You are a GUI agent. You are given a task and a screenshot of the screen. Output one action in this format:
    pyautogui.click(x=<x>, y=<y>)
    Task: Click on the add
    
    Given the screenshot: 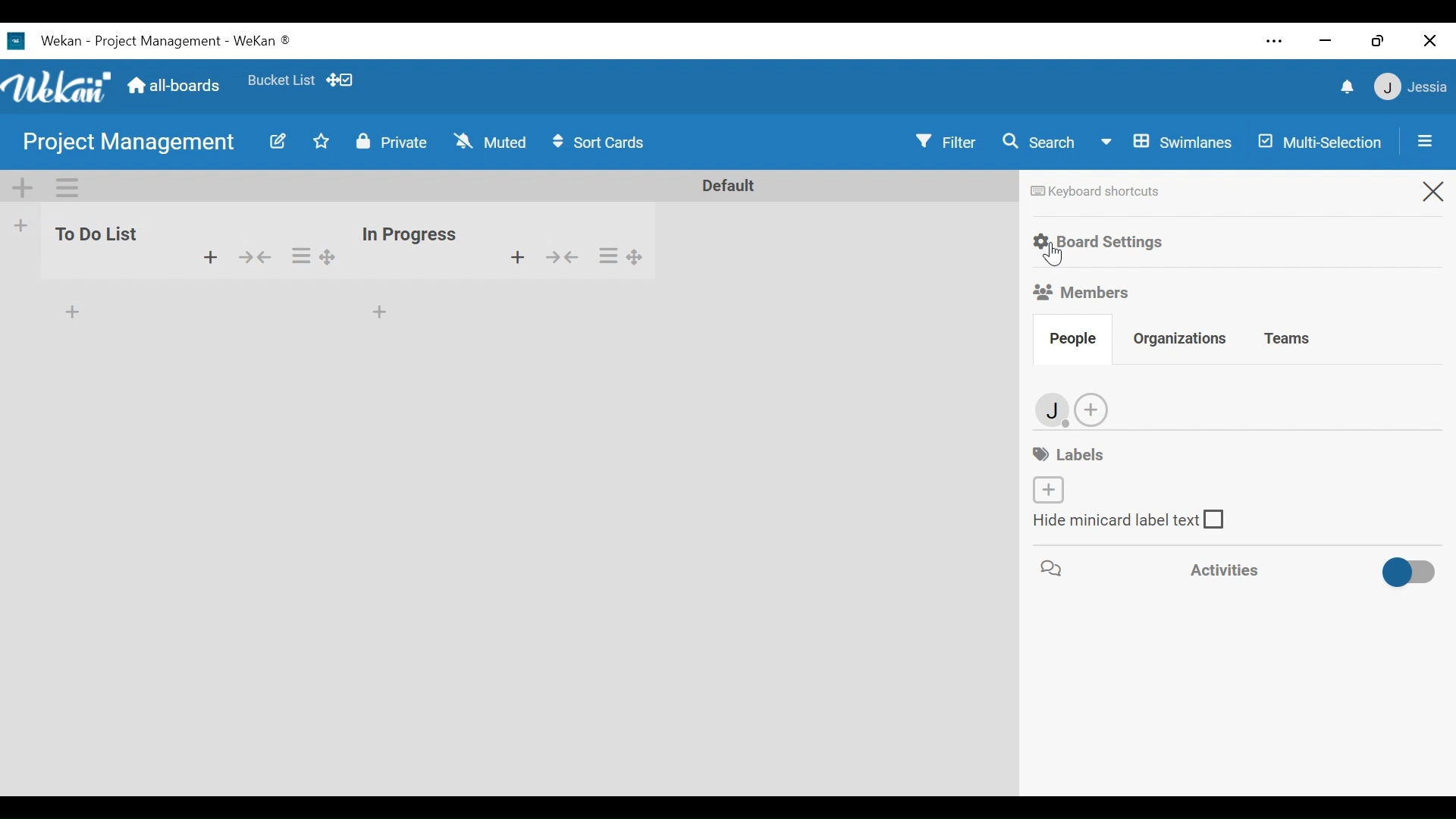 What is the action you would take?
    pyautogui.click(x=209, y=259)
    